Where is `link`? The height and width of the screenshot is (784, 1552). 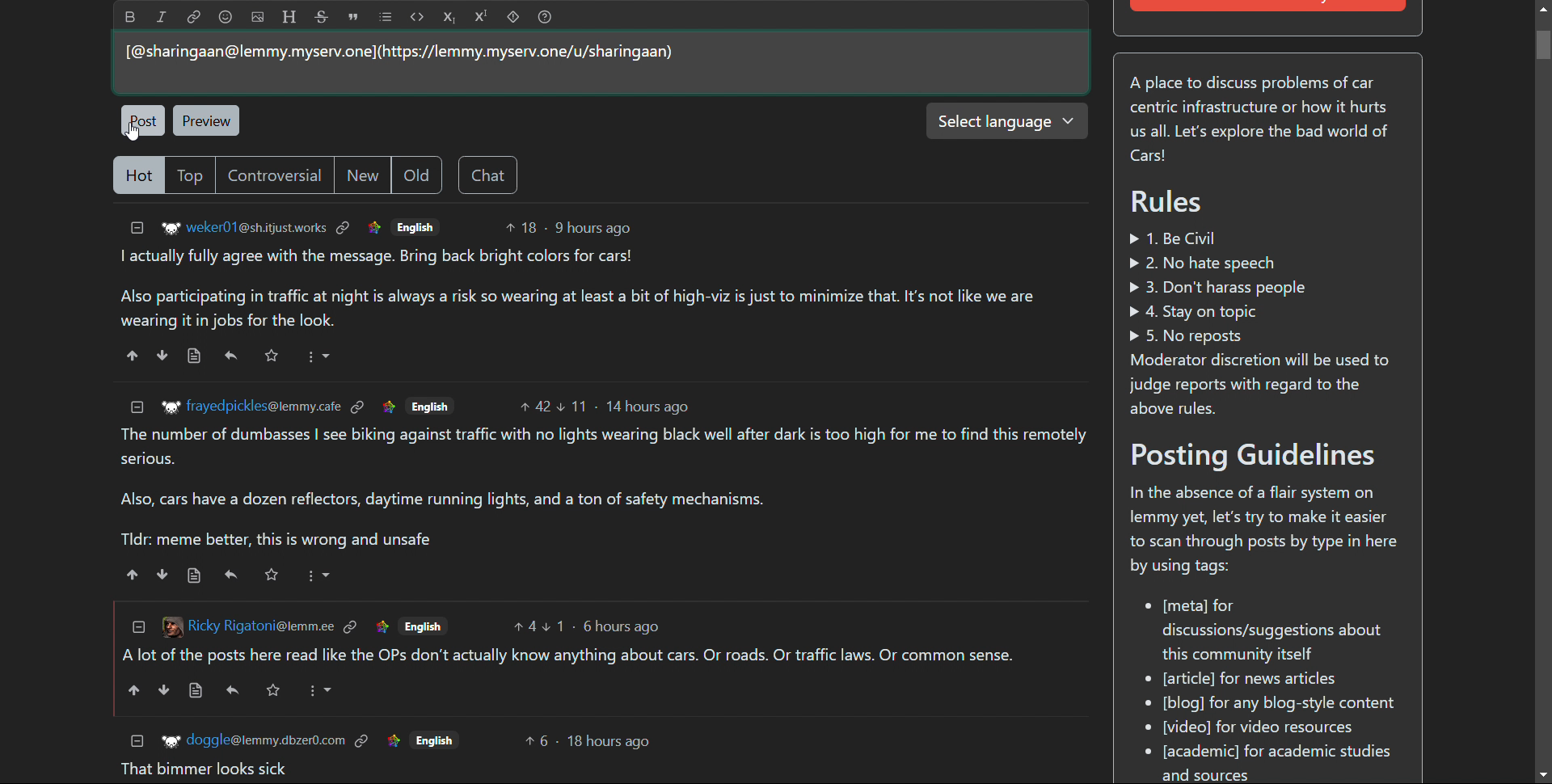
link is located at coordinates (363, 739).